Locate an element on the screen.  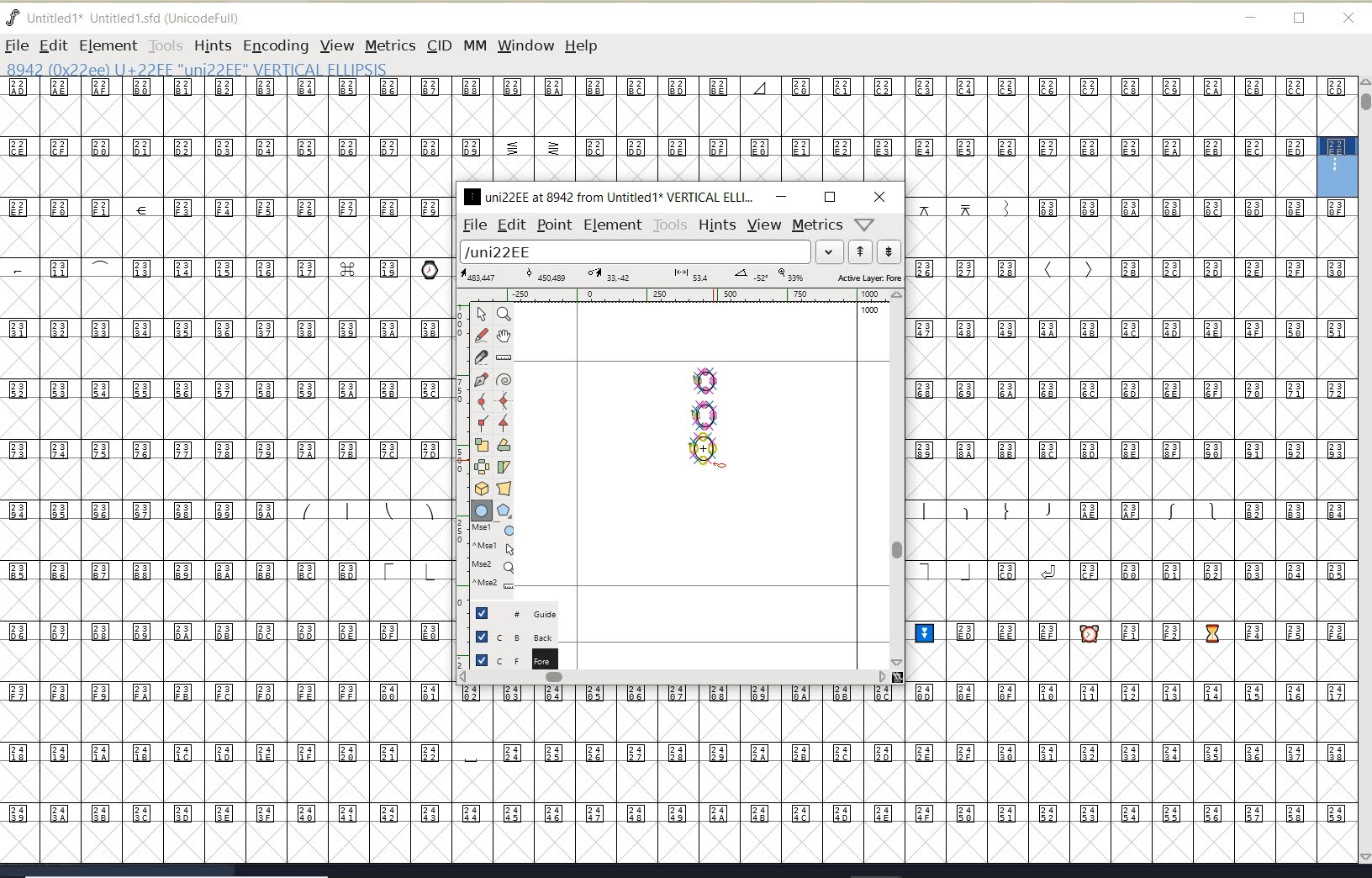
show previous/next word list is located at coordinates (876, 253).